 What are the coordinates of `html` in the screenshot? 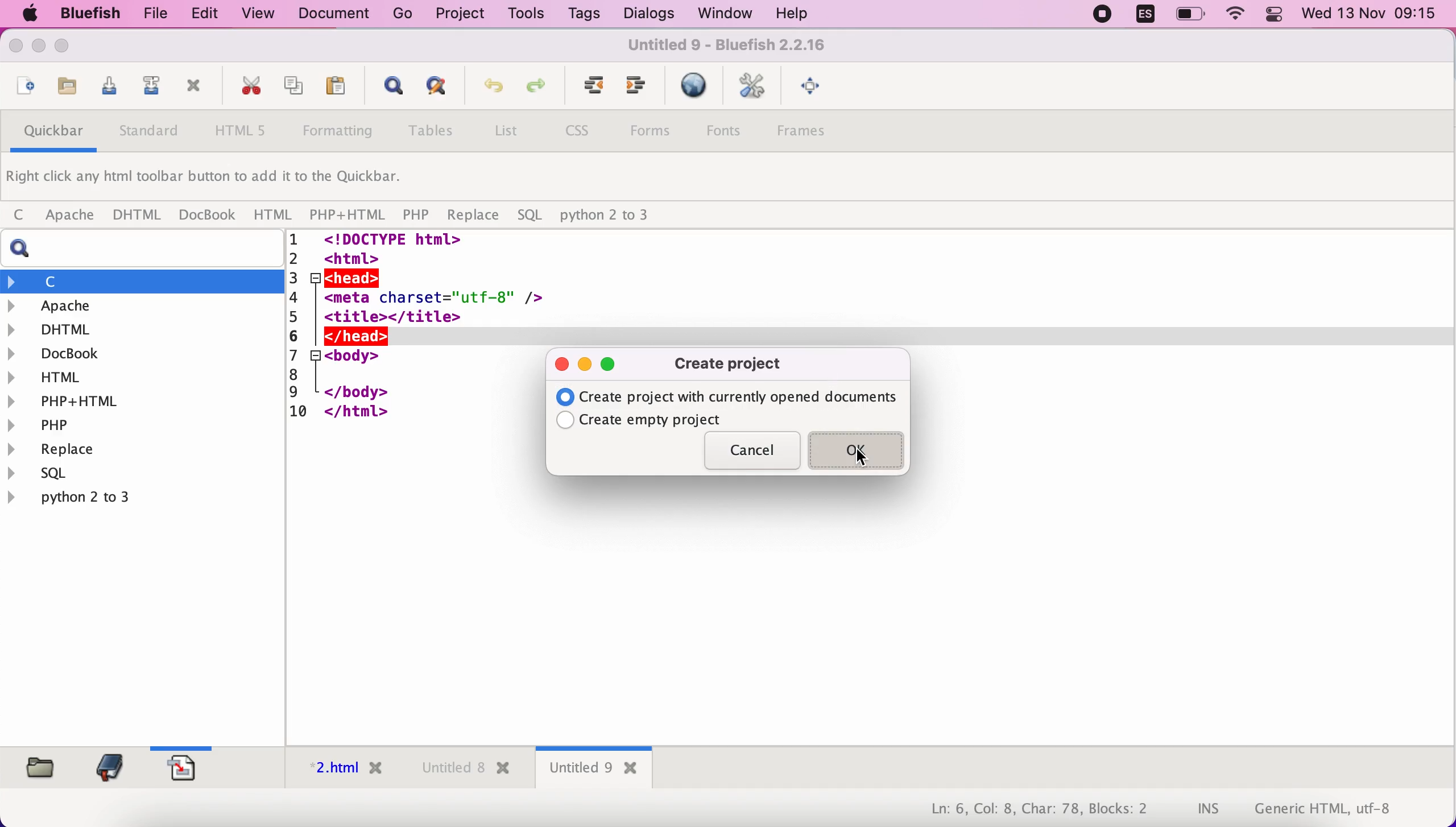 It's located at (271, 214).